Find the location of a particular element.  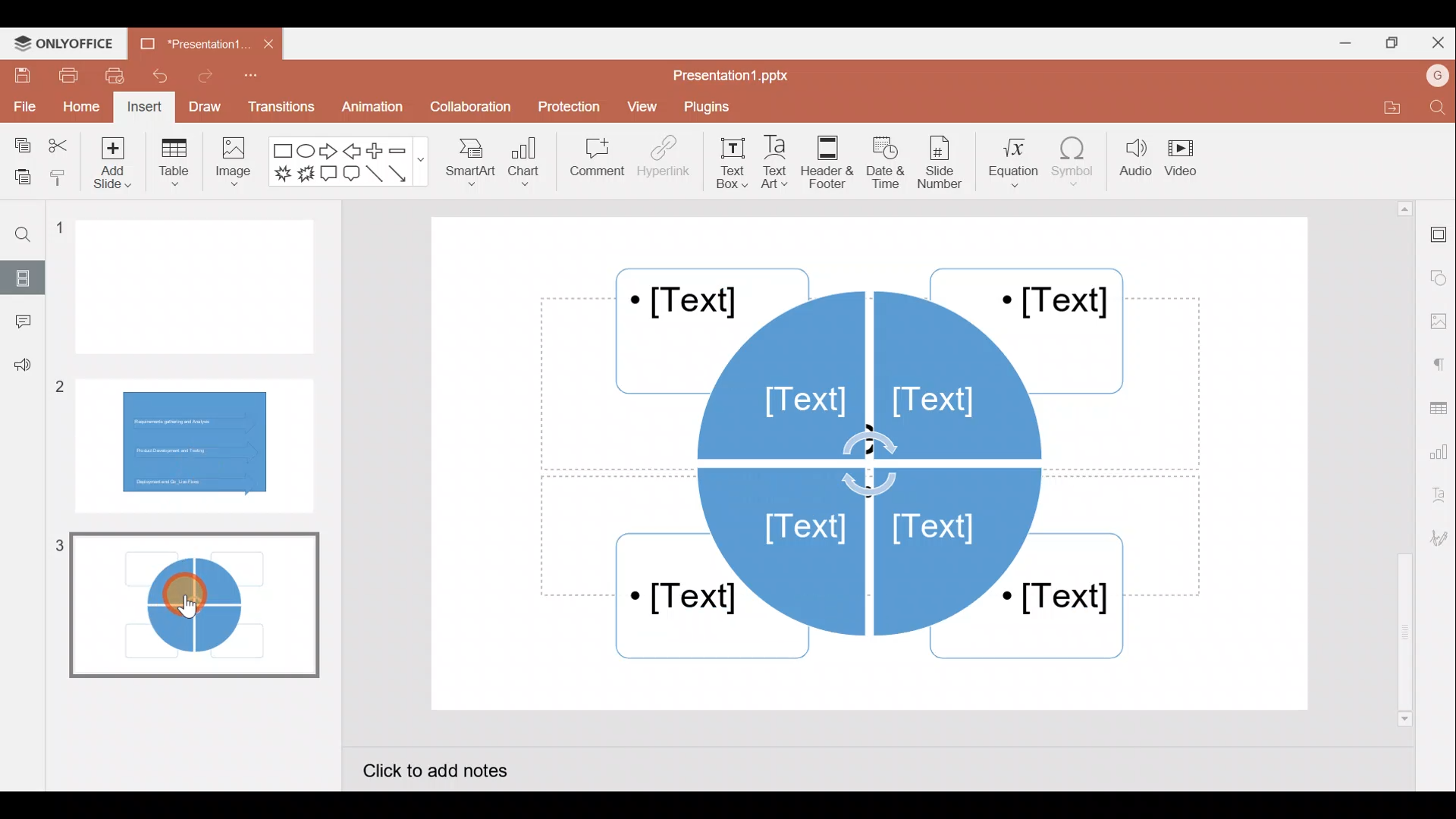

Comment is located at coordinates (19, 322).